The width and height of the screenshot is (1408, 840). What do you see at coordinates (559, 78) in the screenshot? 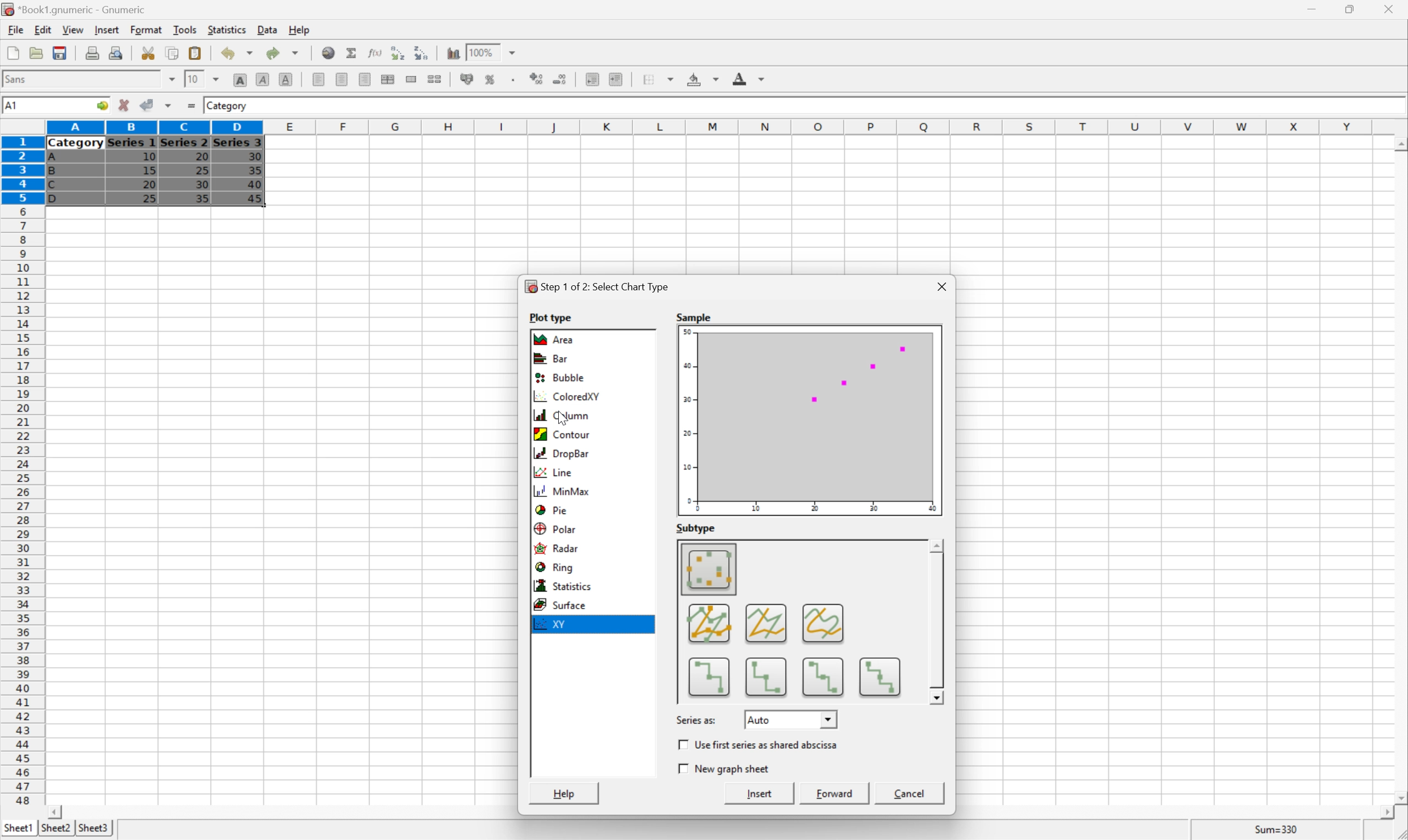
I see `Decrease the number of decimals displayed` at bounding box center [559, 78].